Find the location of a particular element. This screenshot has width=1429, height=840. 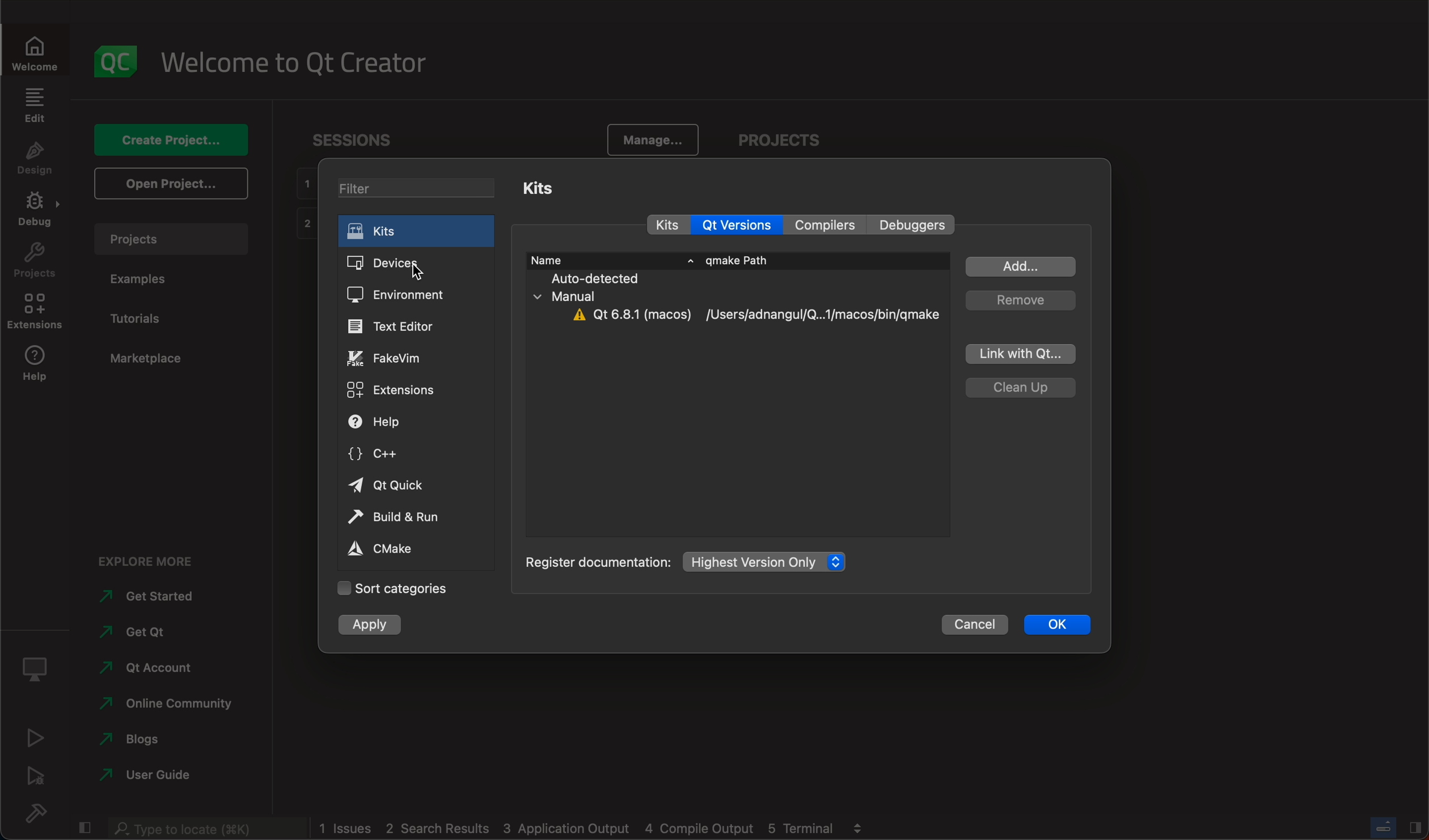

explore more is located at coordinates (146, 562).